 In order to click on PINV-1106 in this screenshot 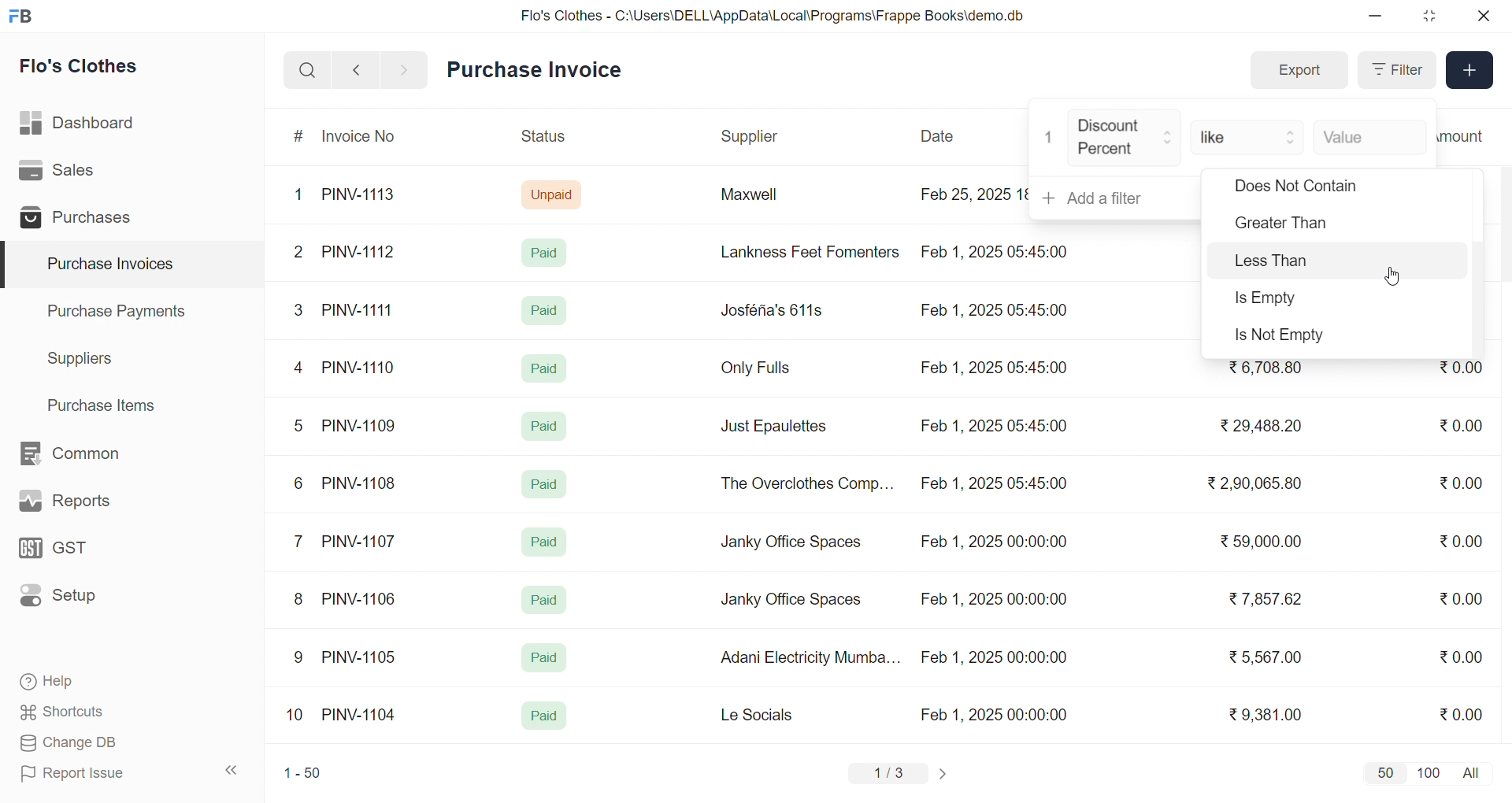, I will do `click(365, 599)`.